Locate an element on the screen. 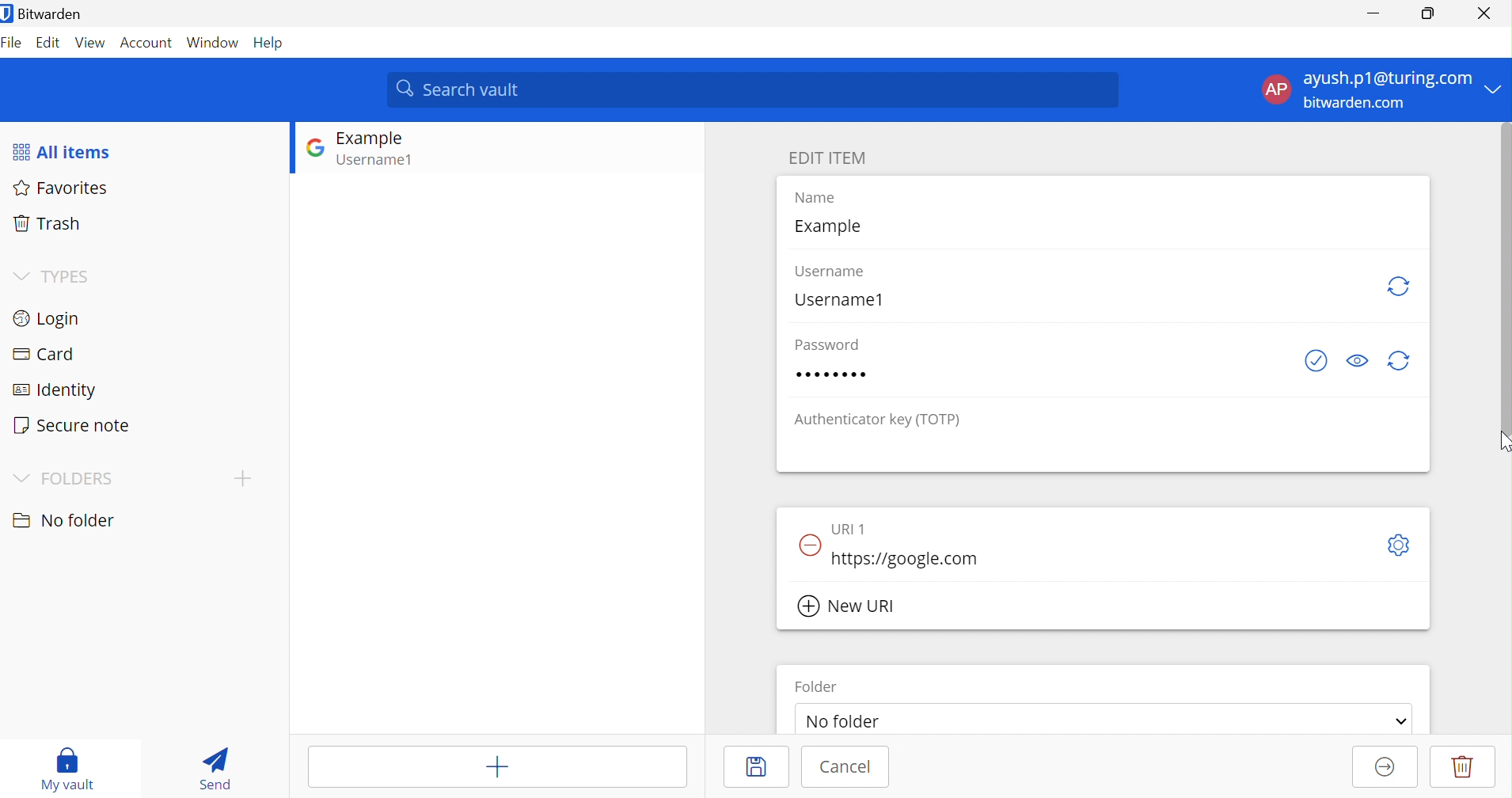  Account is located at coordinates (146, 42).